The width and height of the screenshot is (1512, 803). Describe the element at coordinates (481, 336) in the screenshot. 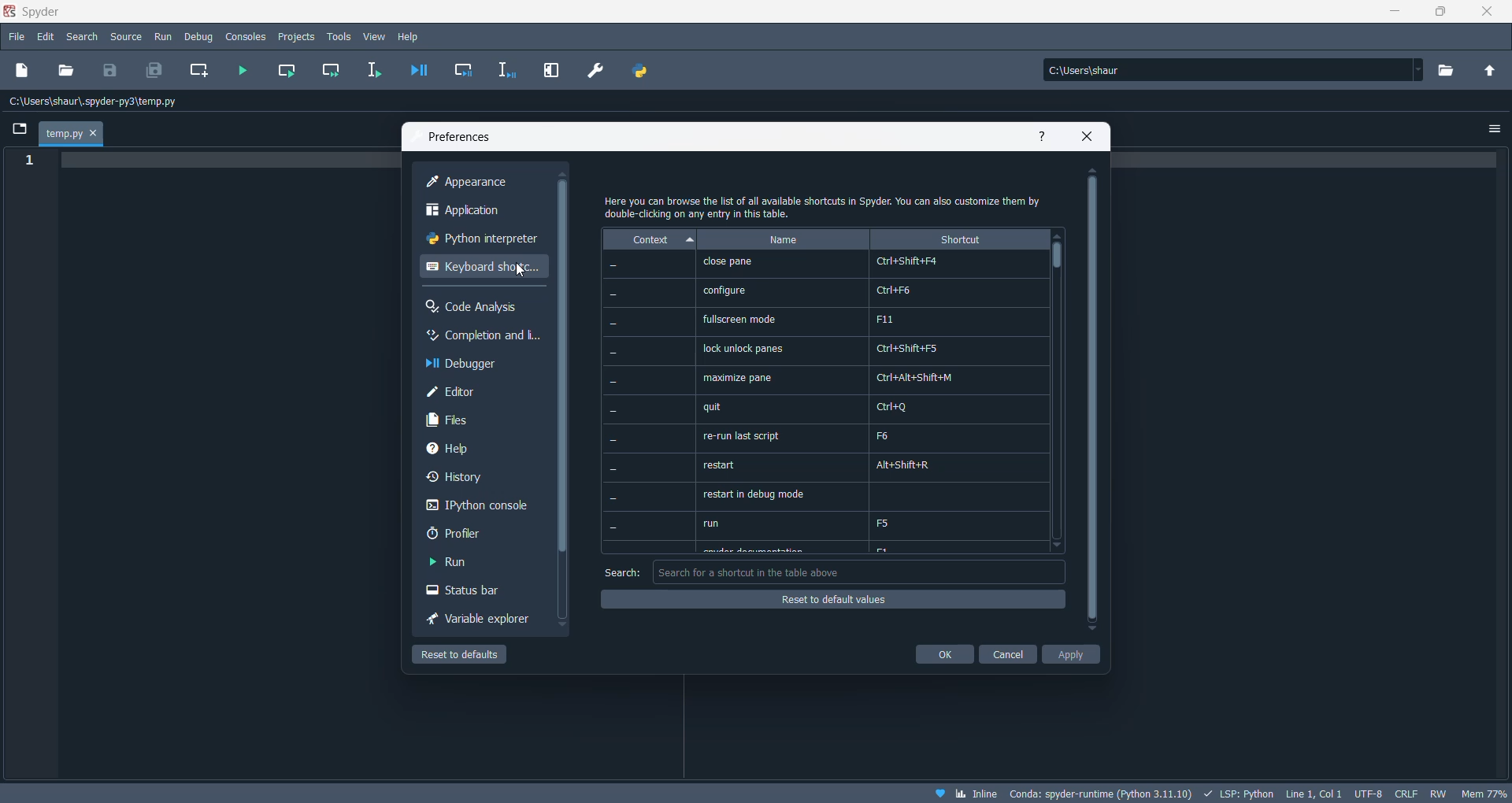

I see `completion` at that location.